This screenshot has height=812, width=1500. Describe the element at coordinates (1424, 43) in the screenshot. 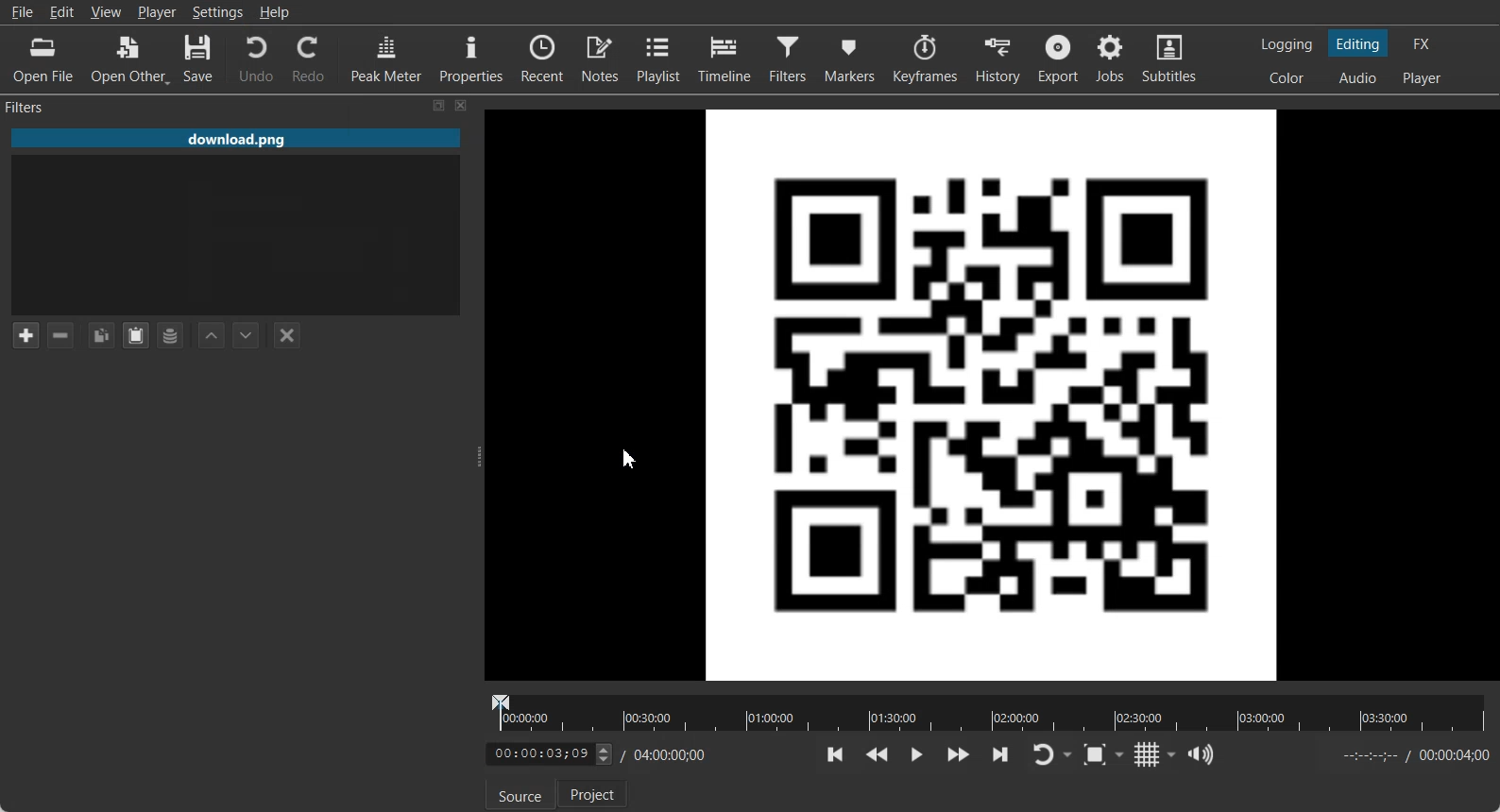

I see `Switch to the effect only layout` at that location.